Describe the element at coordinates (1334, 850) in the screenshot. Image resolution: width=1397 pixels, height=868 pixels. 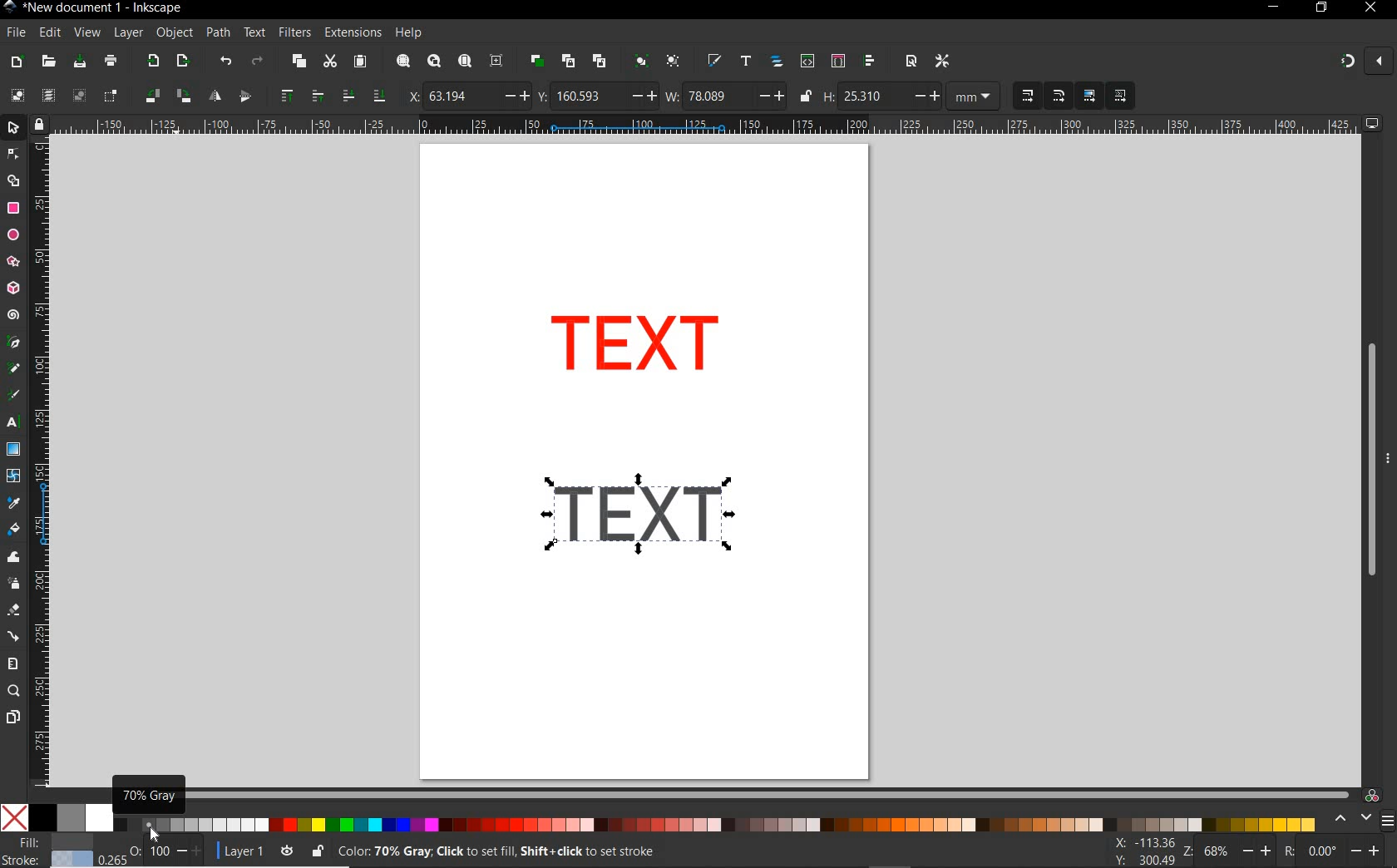
I see `rotation` at that location.